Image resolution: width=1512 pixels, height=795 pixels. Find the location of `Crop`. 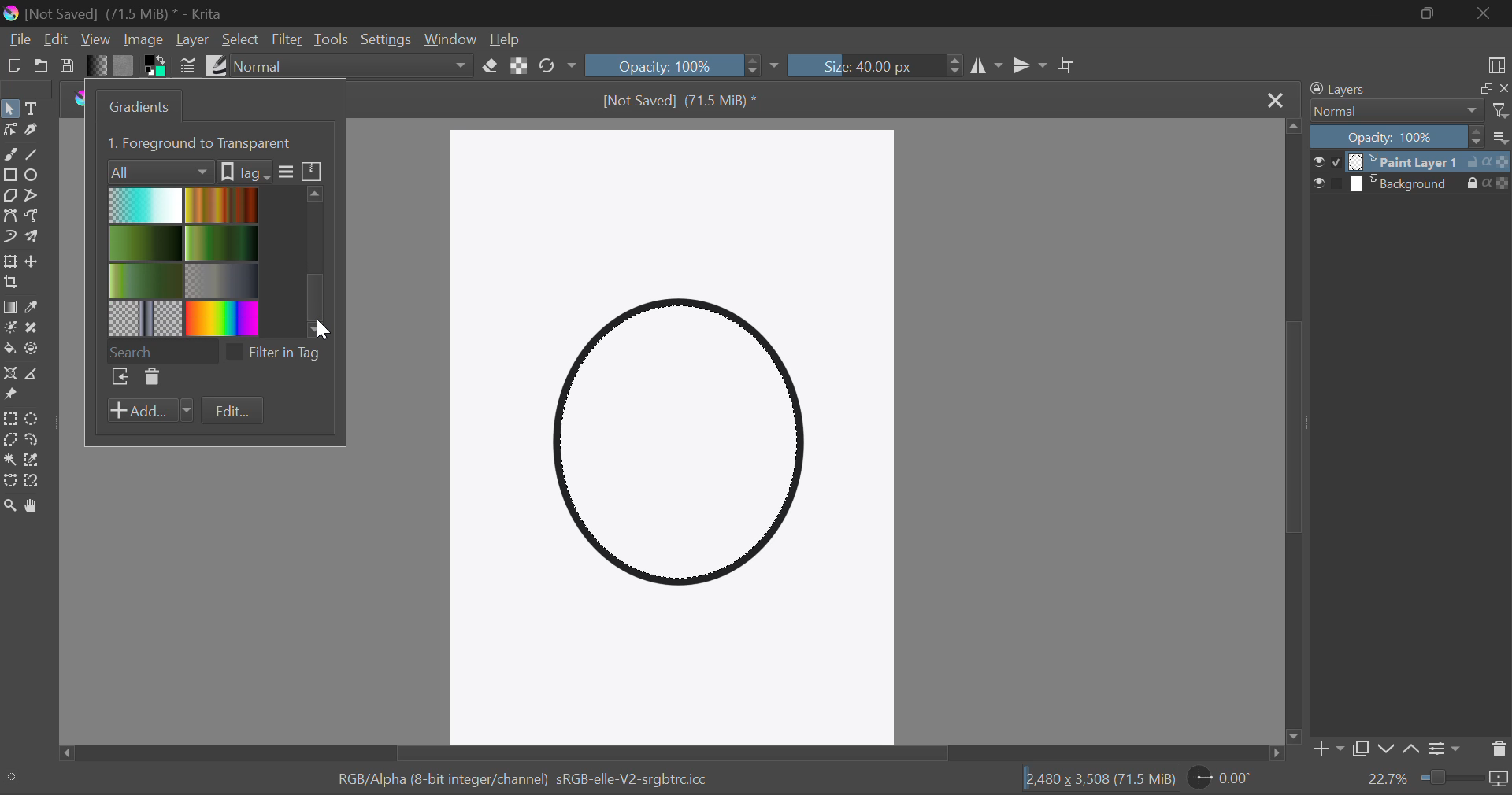

Crop is located at coordinates (11, 284).